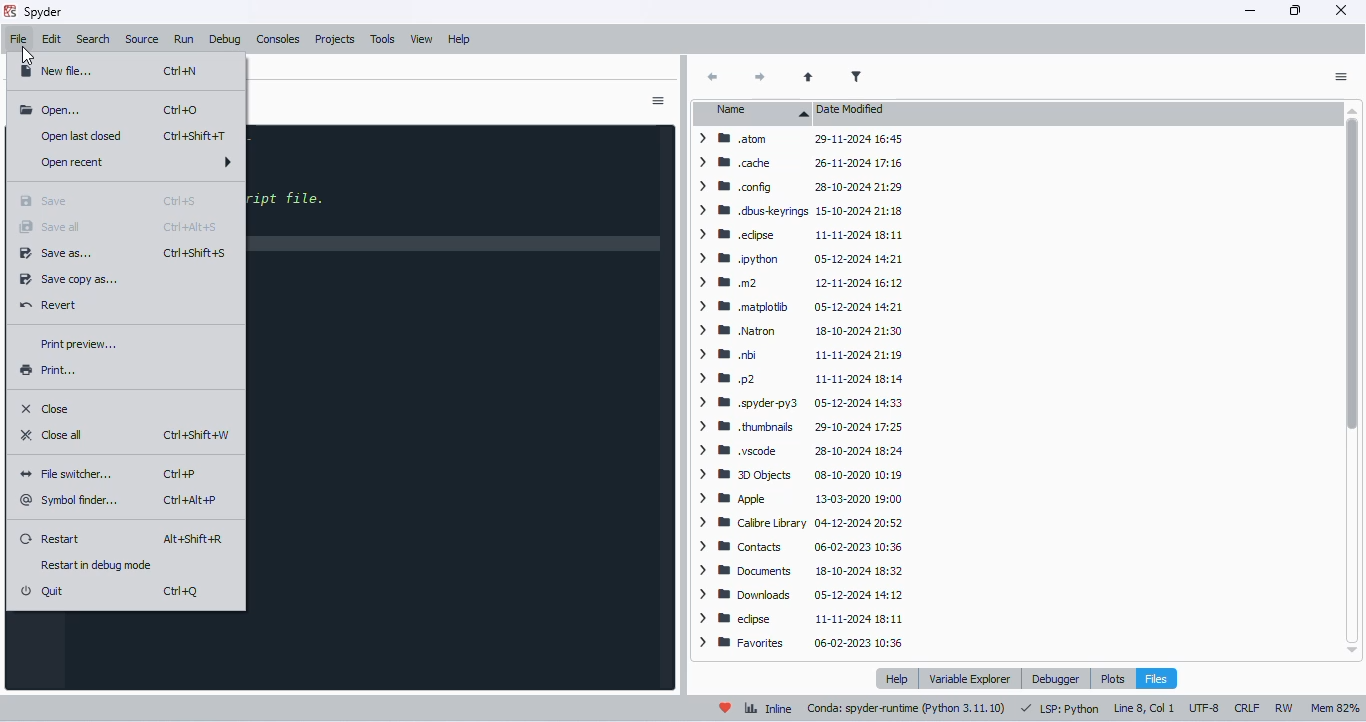 The width and height of the screenshot is (1366, 722). I want to click on vertical scroll bar, so click(1349, 379).